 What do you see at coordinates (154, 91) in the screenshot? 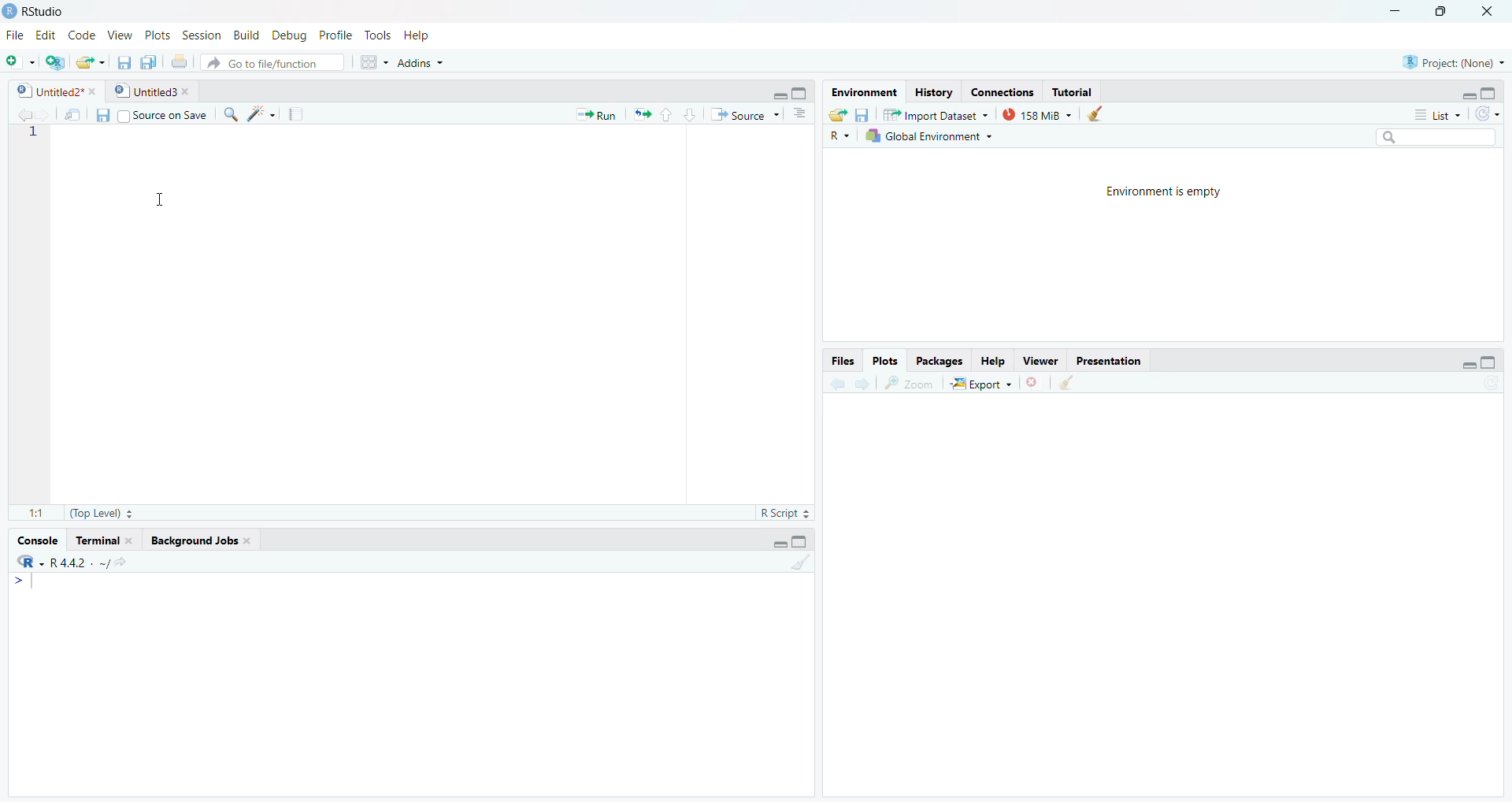
I see `) | Untitled3` at bounding box center [154, 91].